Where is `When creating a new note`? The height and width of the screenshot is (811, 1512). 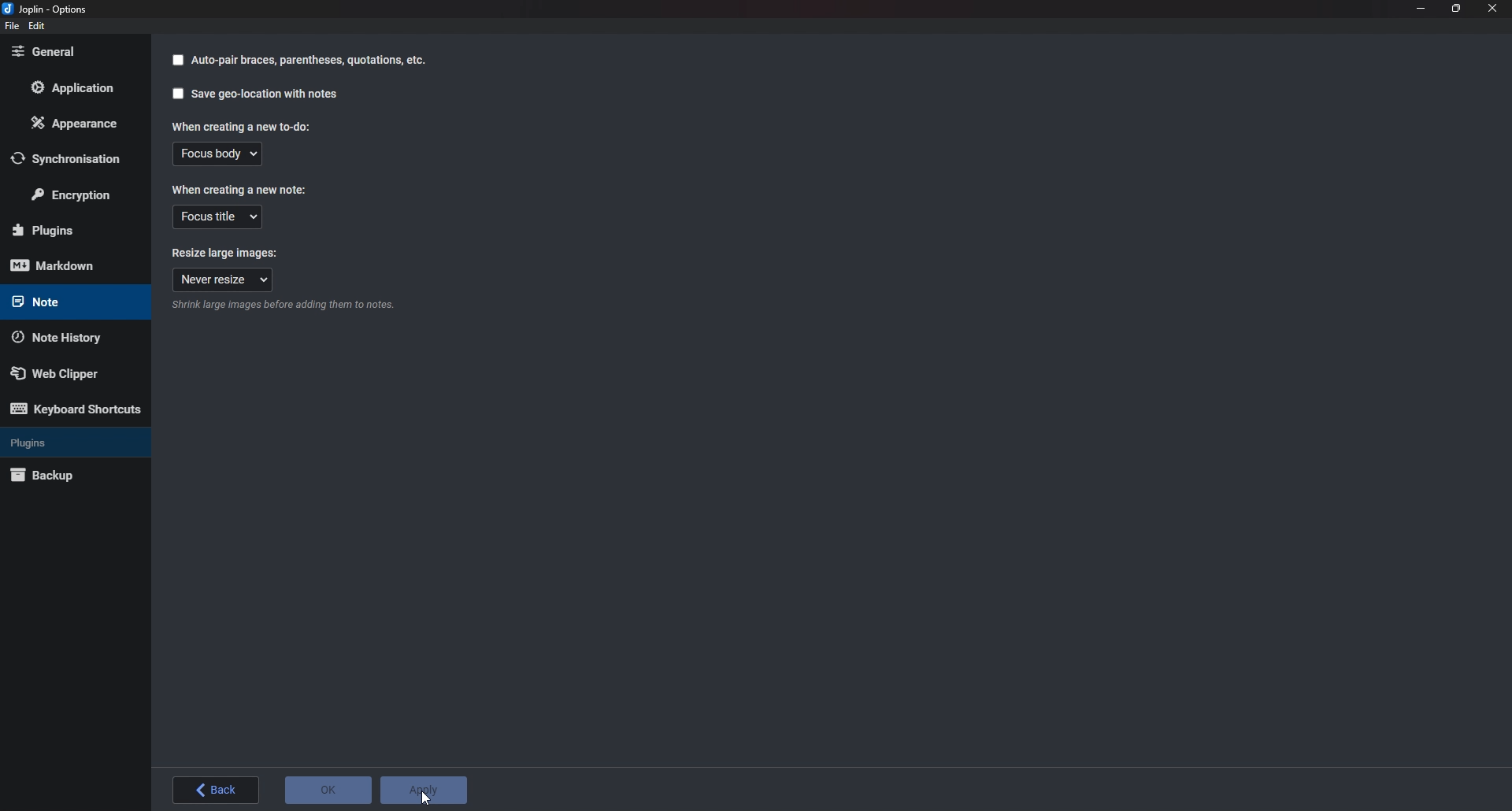 When creating a new note is located at coordinates (241, 190).